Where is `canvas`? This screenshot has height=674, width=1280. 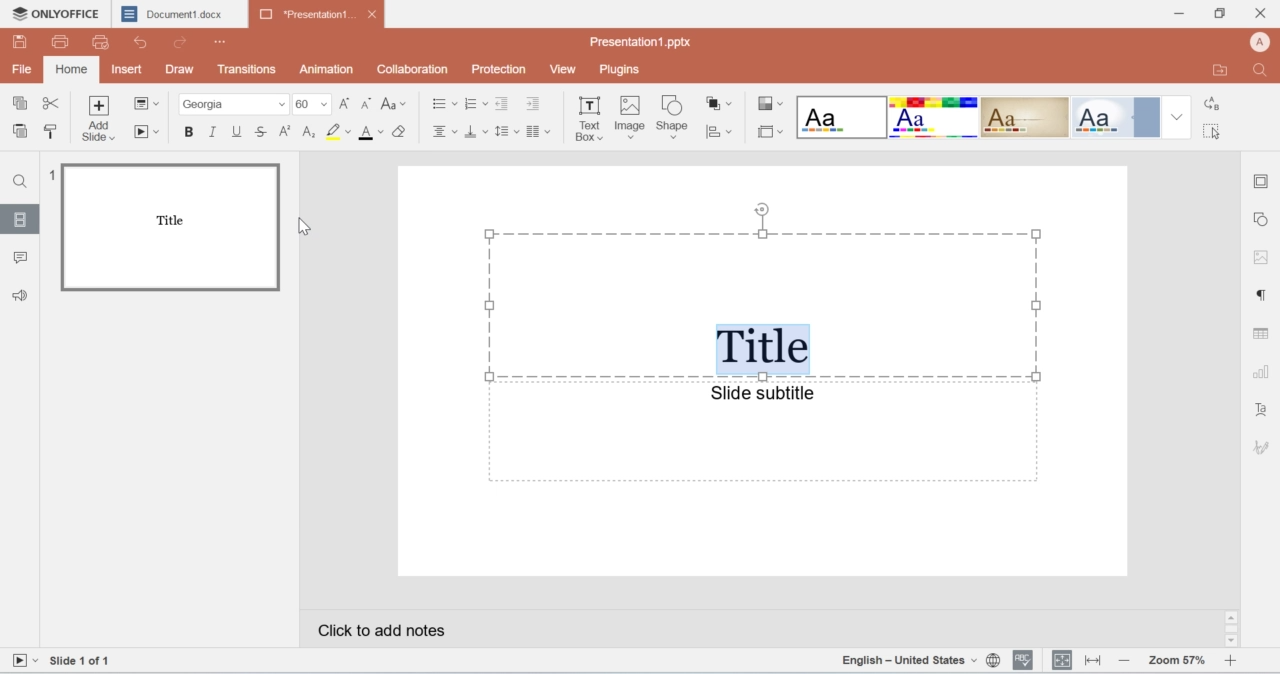
canvas is located at coordinates (758, 372).